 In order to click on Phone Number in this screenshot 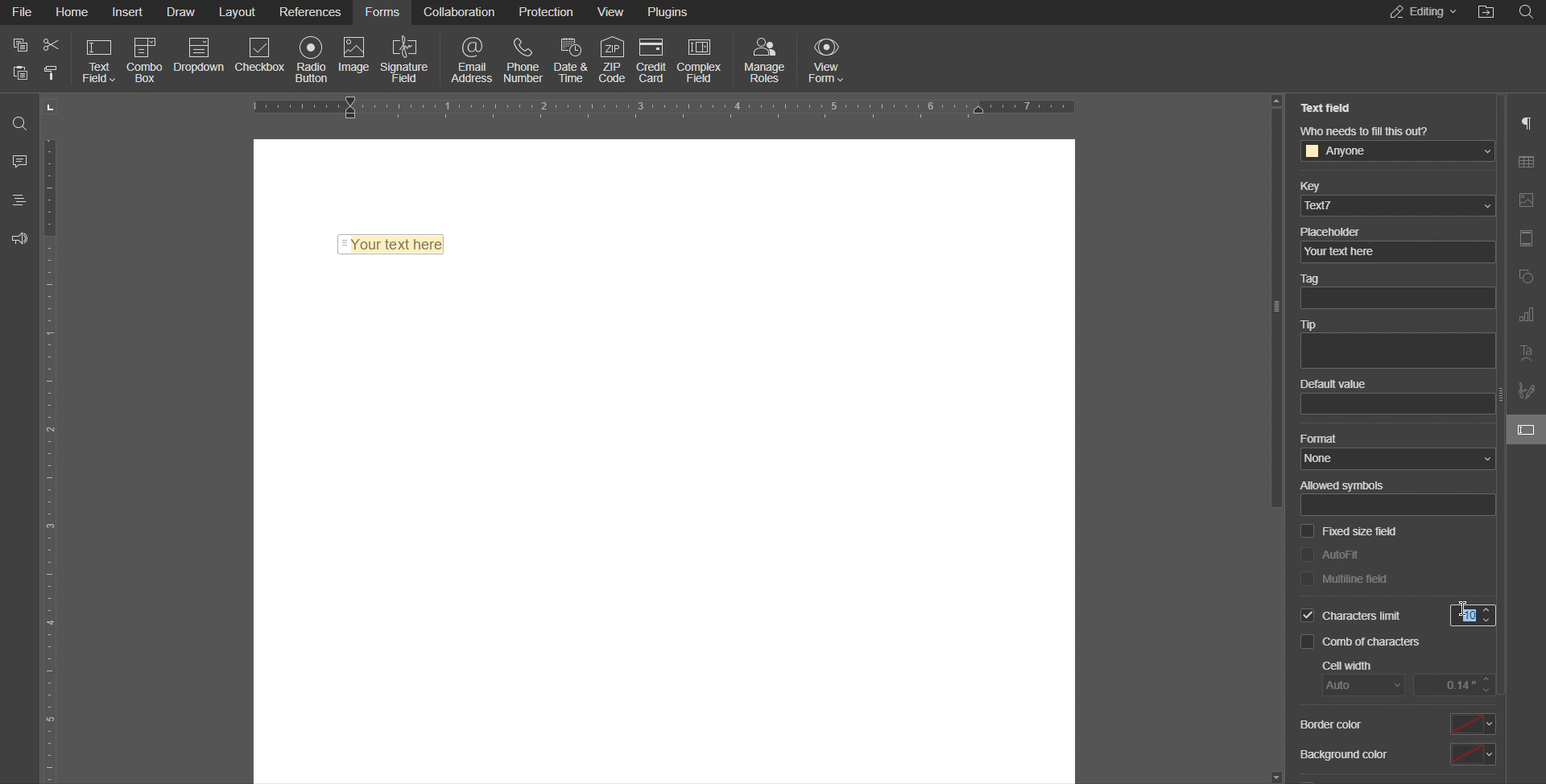, I will do `click(527, 59)`.